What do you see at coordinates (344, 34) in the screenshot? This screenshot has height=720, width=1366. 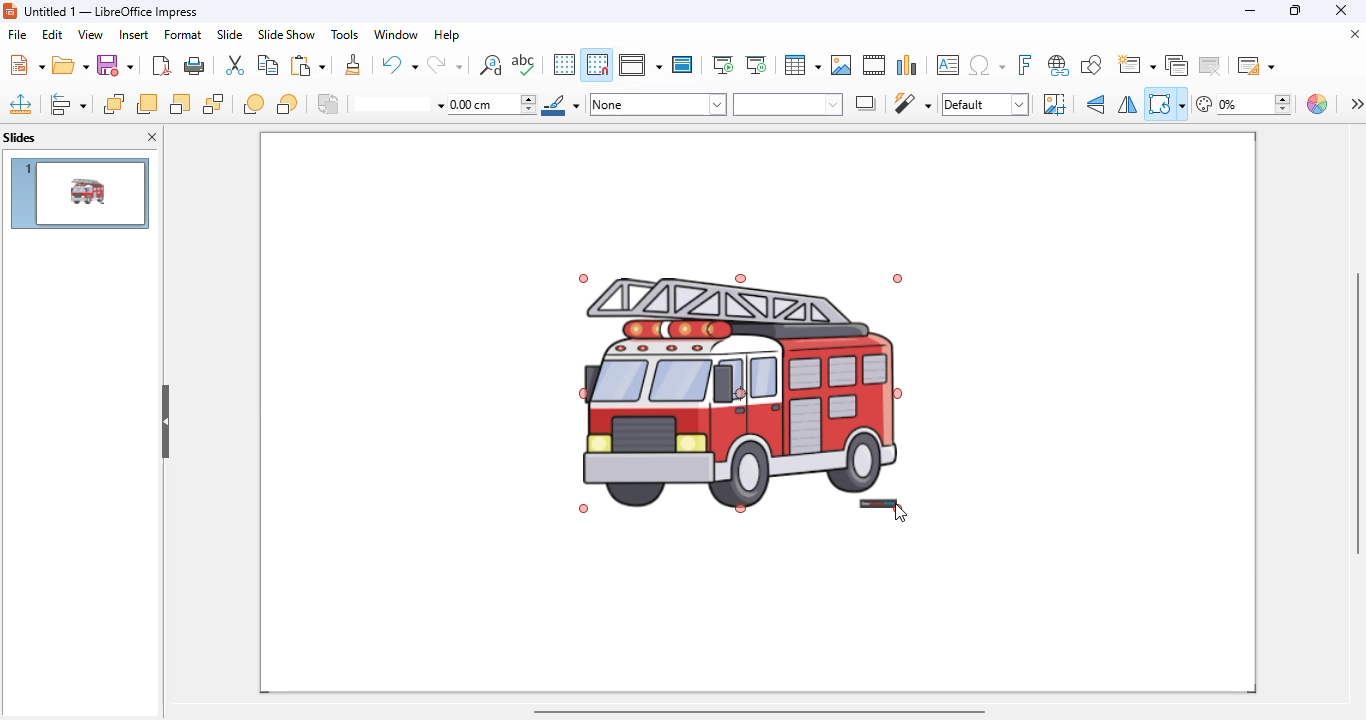 I see `tools` at bounding box center [344, 34].